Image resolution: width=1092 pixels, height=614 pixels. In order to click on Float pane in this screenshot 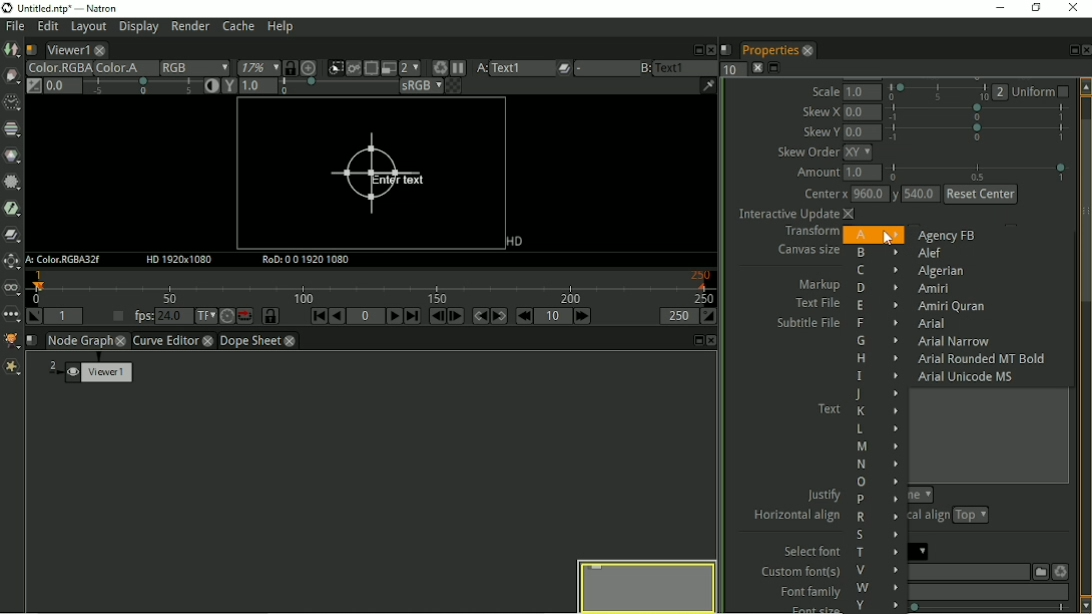, I will do `click(1070, 50)`.